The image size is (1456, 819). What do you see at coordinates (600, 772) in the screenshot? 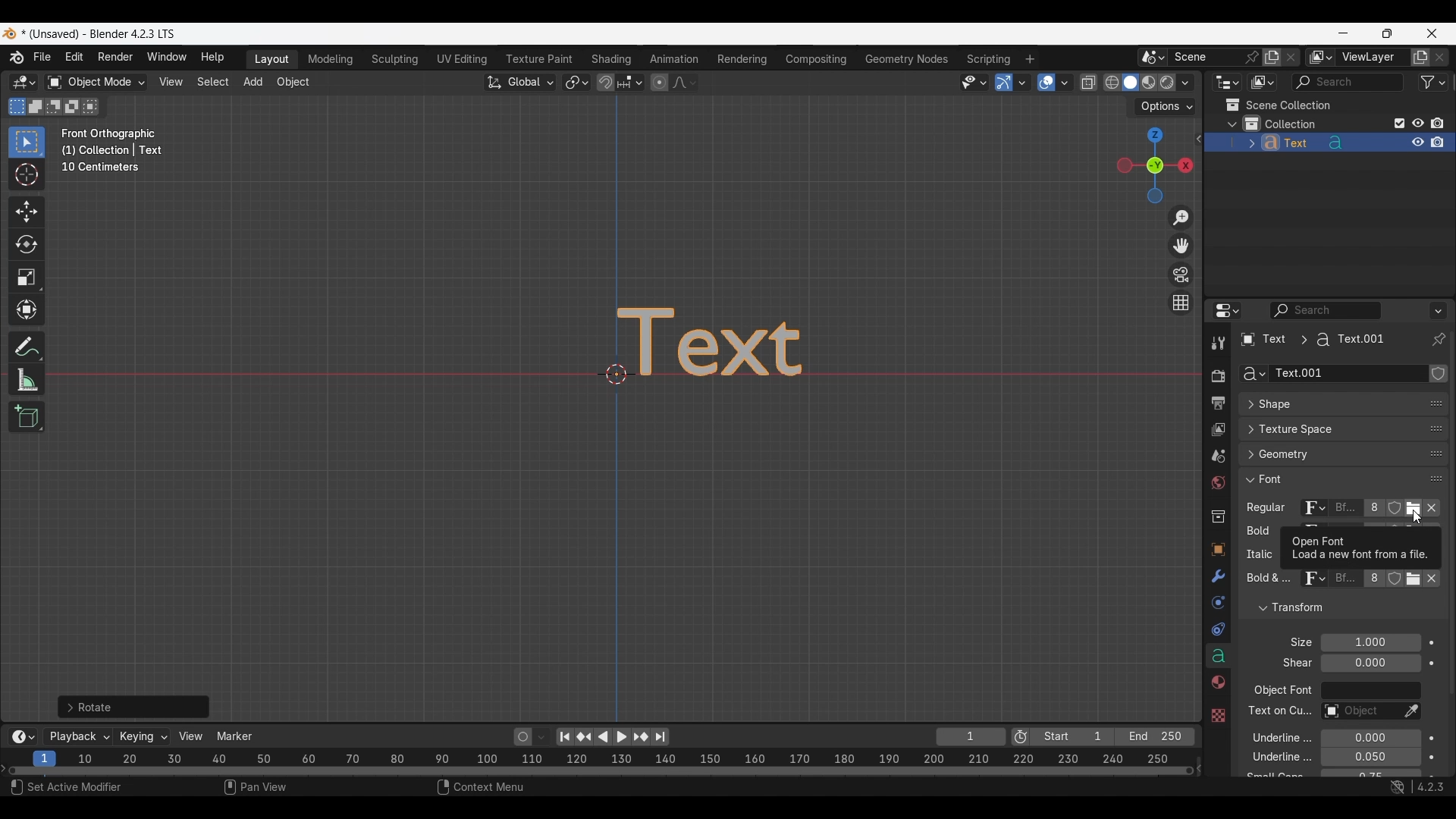
I see `Frames timeline slider` at bounding box center [600, 772].